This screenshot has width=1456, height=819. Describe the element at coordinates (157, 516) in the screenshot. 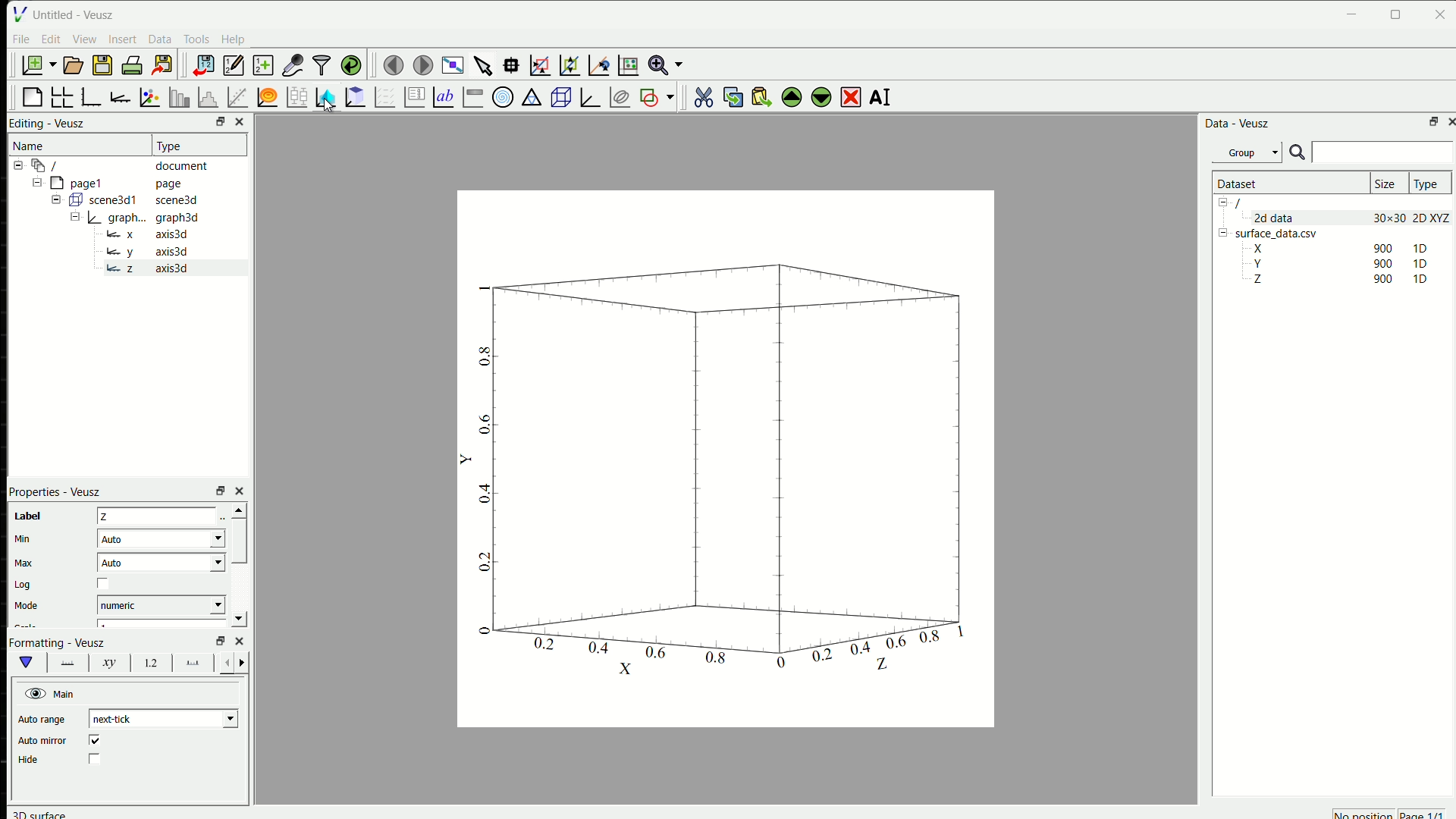

I see `Z` at that location.